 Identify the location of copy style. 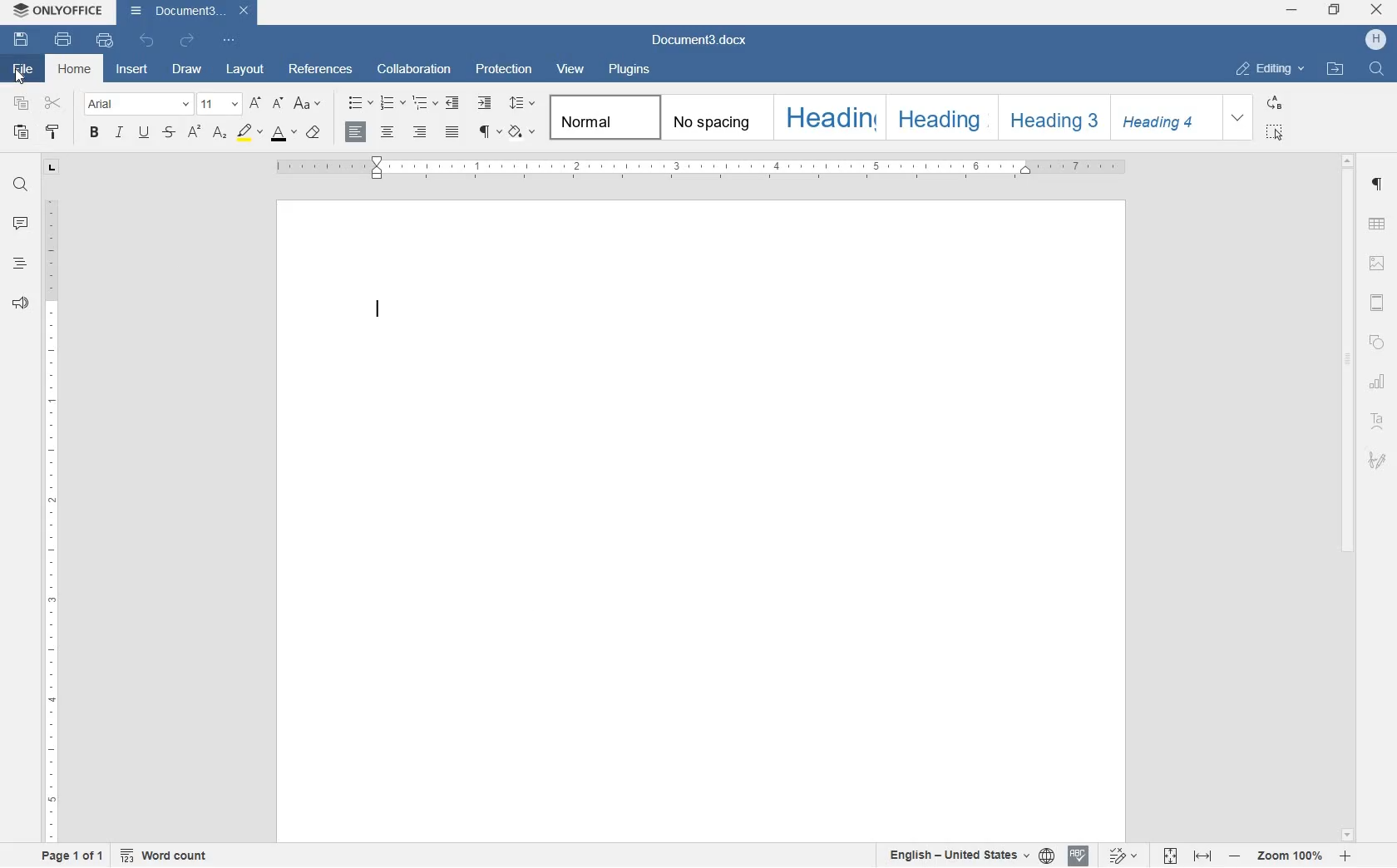
(53, 132).